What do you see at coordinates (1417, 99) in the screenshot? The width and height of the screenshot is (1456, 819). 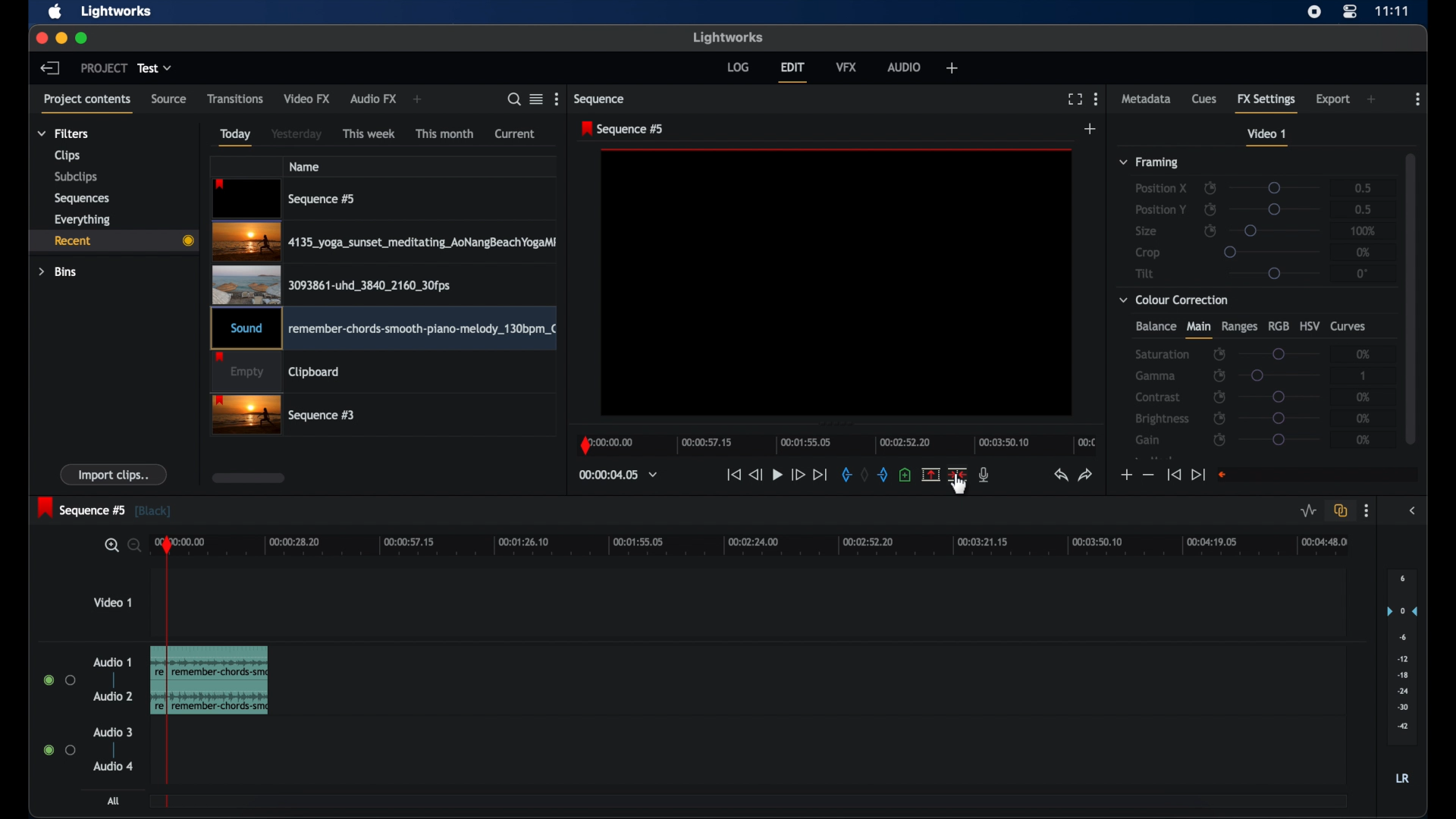 I see `more options` at bounding box center [1417, 99].